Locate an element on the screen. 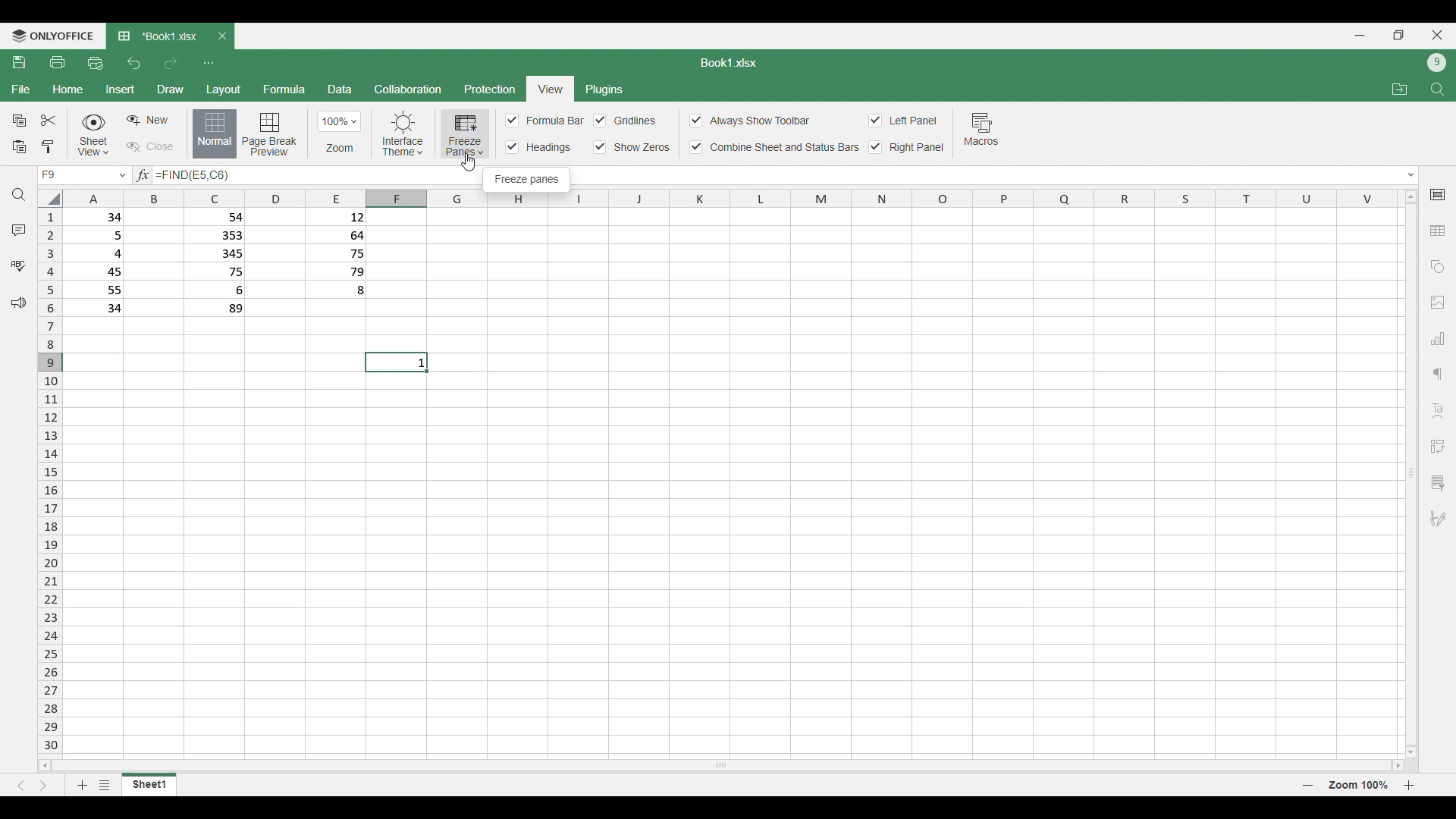 The height and width of the screenshot is (819, 1456). Page zoom in is located at coordinates (1409, 786).